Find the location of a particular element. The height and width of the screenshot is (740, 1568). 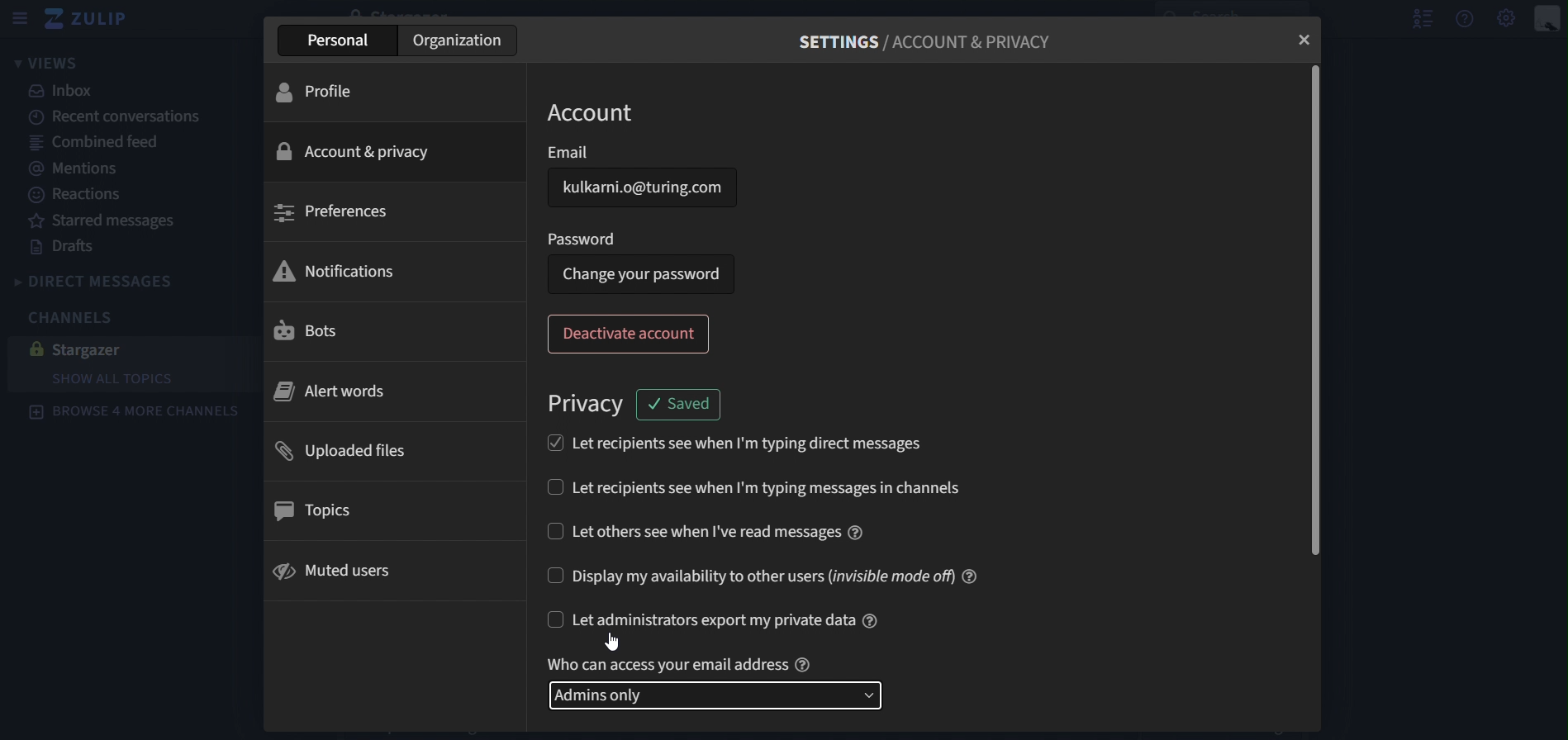

inbox is located at coordinates (67, 93).